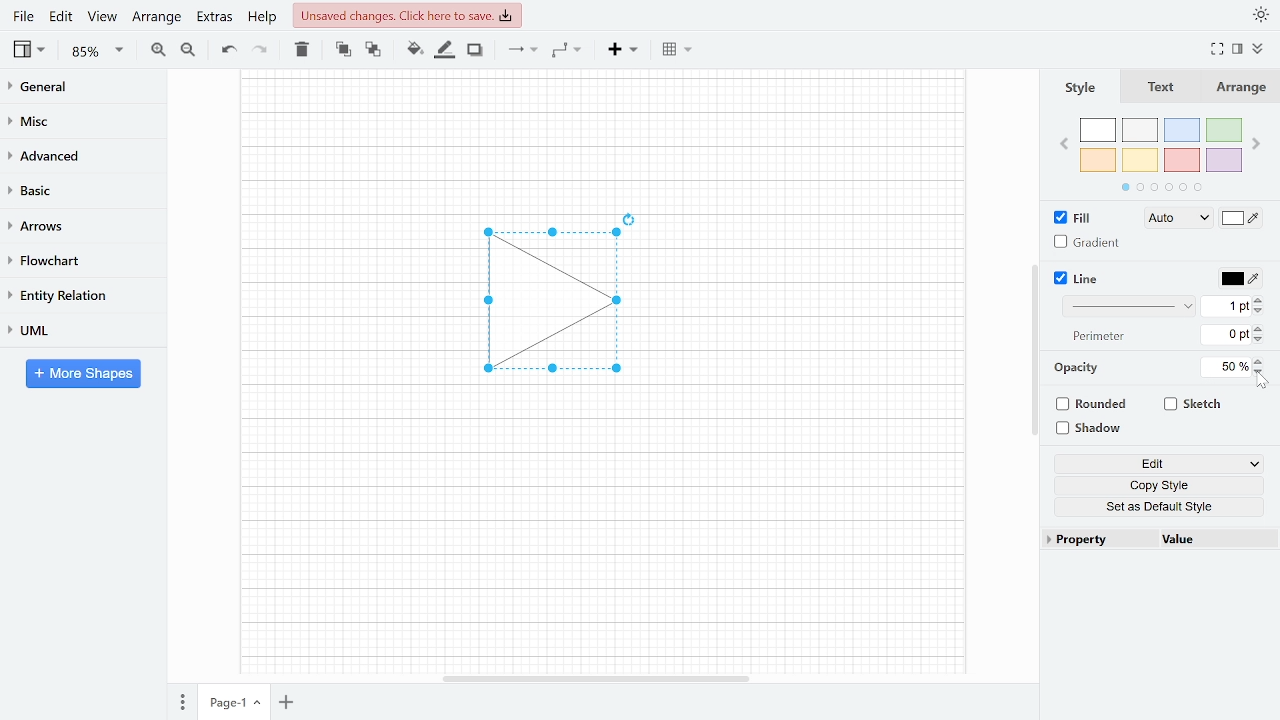  I want to click on UML, so click(74, 330).